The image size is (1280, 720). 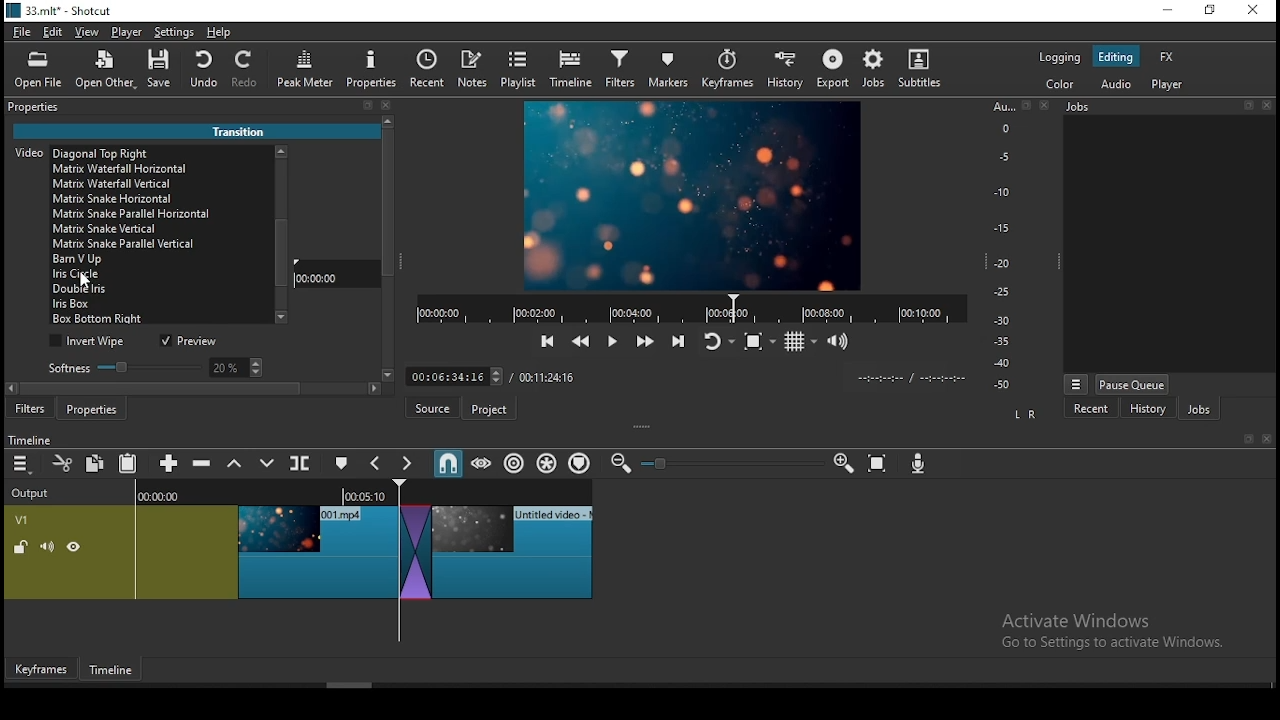 I want to click on minimize, so click(x=1171, y=11).